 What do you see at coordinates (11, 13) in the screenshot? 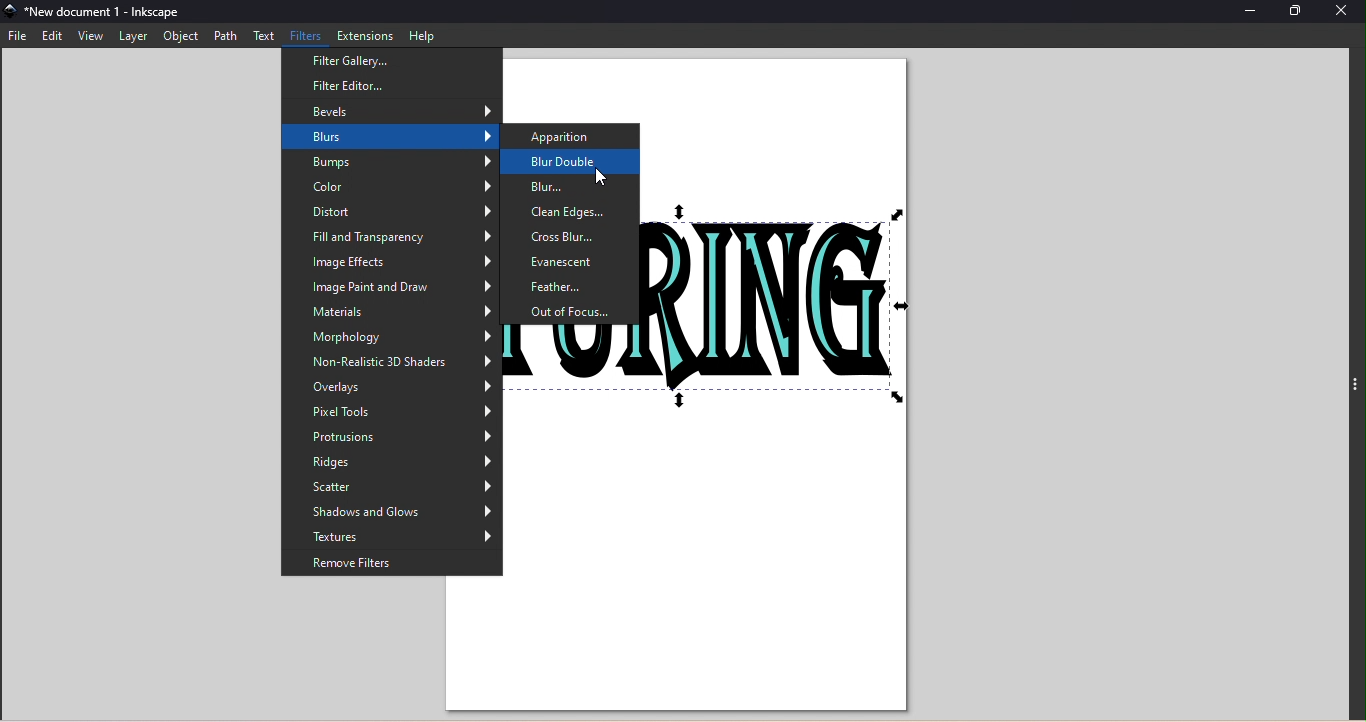
I see `app icon` at bounding box center [11, 13].